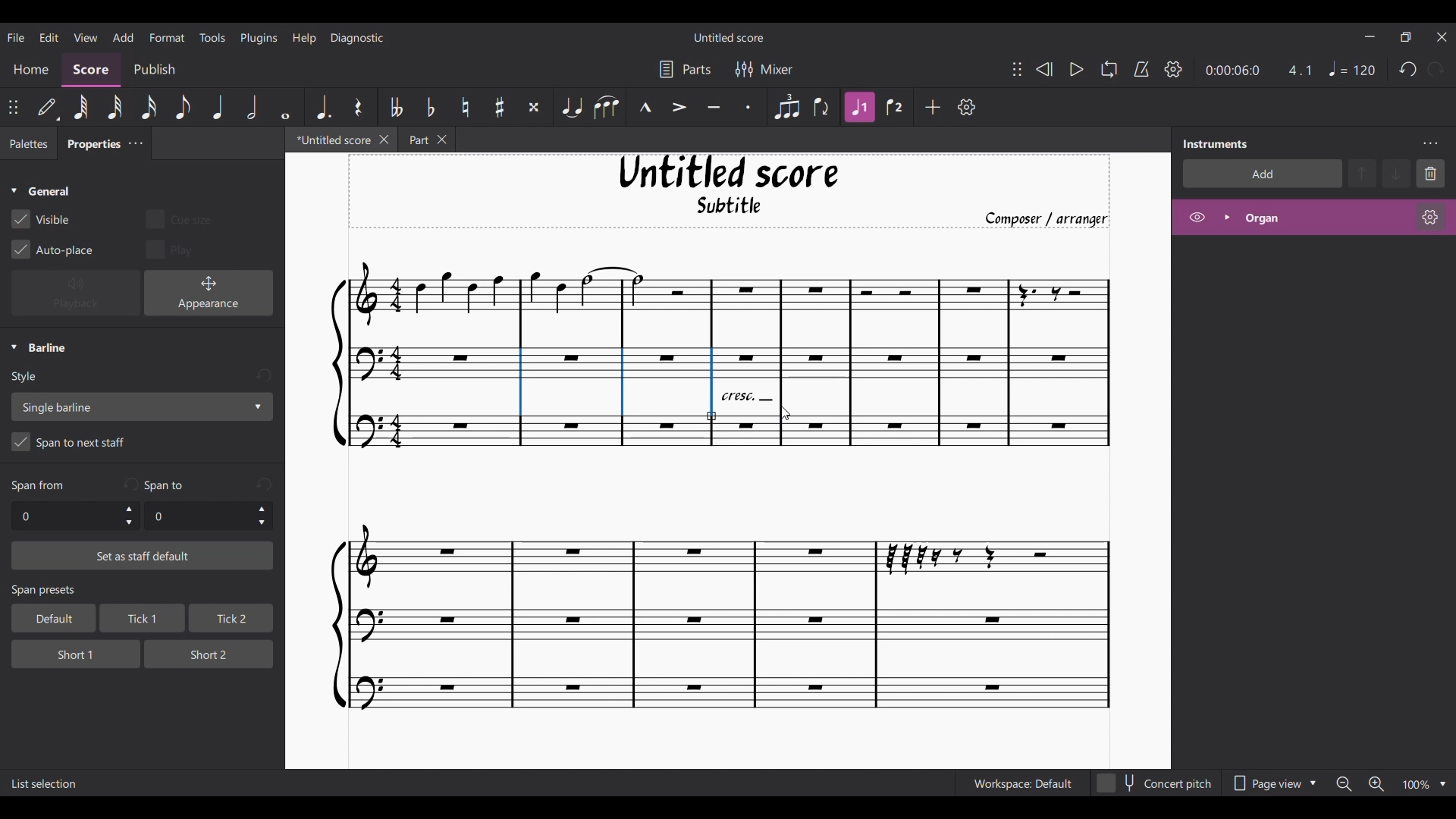 The image size is (1456, 819). What do you see at coordinates (465, 107) in the screenshot?
I see `Toggle natural` at bounding box center [465, 107].